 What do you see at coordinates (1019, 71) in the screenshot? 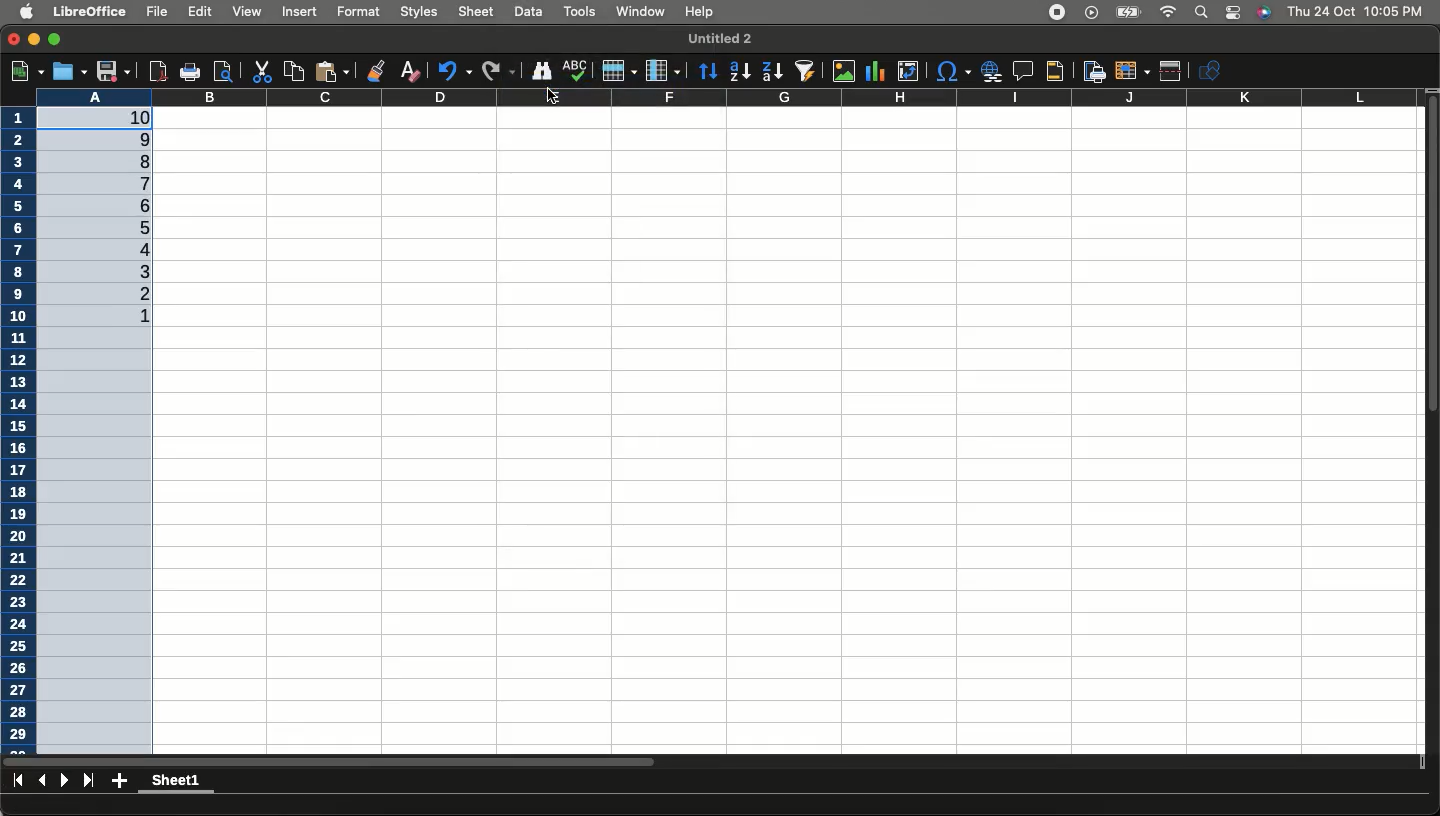
I see `Insert comment` at bounding box center [1019, 71].